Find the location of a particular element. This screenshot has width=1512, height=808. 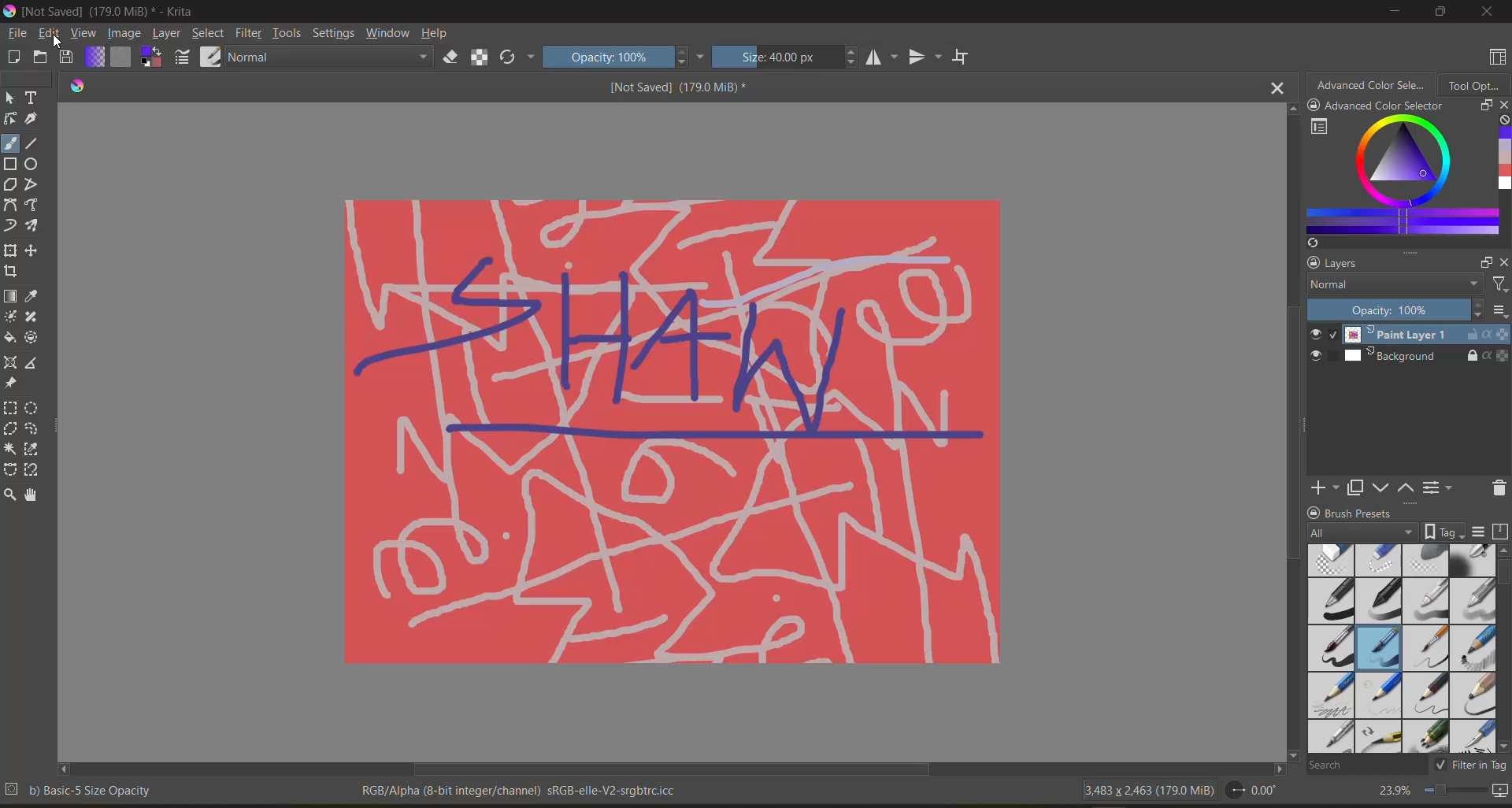

Rectangular selection tool is located at coordinates (10, 407).